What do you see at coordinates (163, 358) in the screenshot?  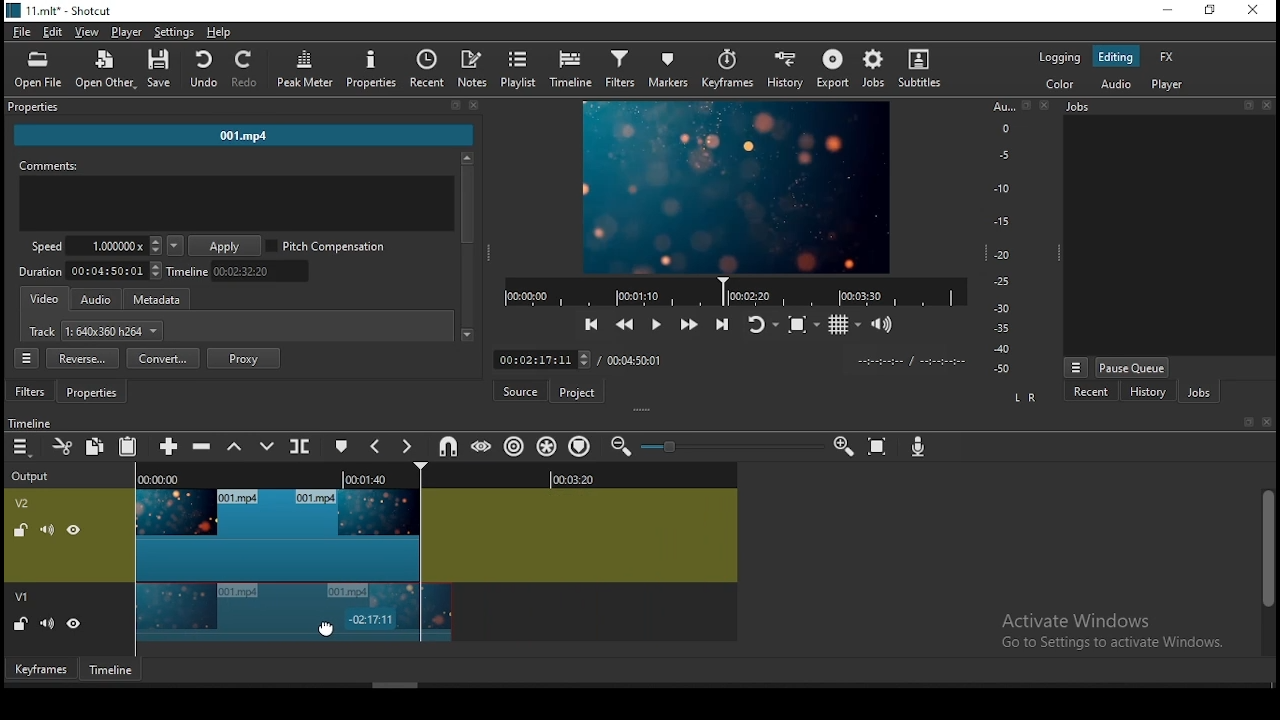 I see `convert` at bounding box center [163, 358].